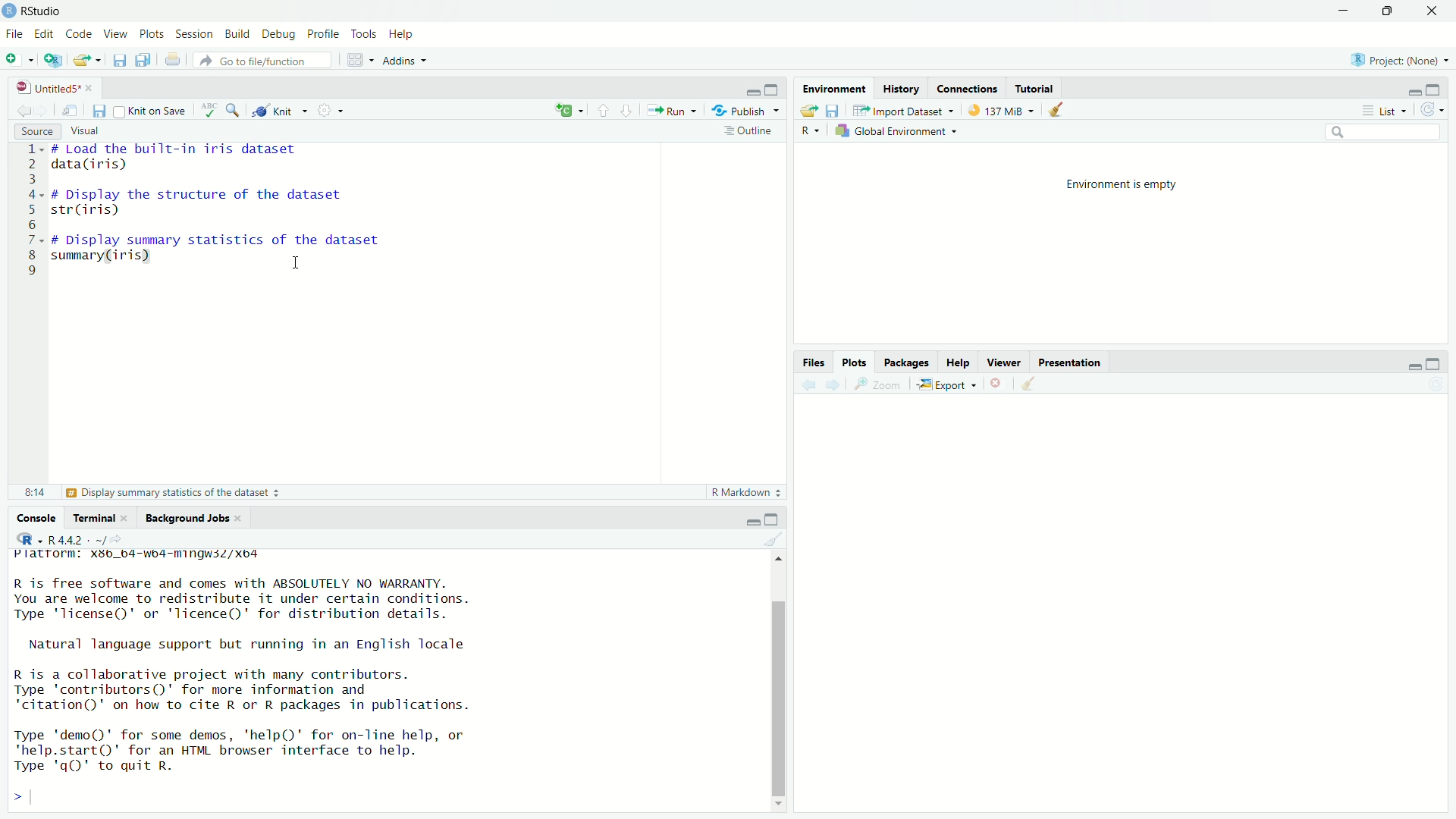  What do you see at coordinates (1122, 186) in the screenshot?
I see `Environment is empty` at bounding box center [1122, 186].